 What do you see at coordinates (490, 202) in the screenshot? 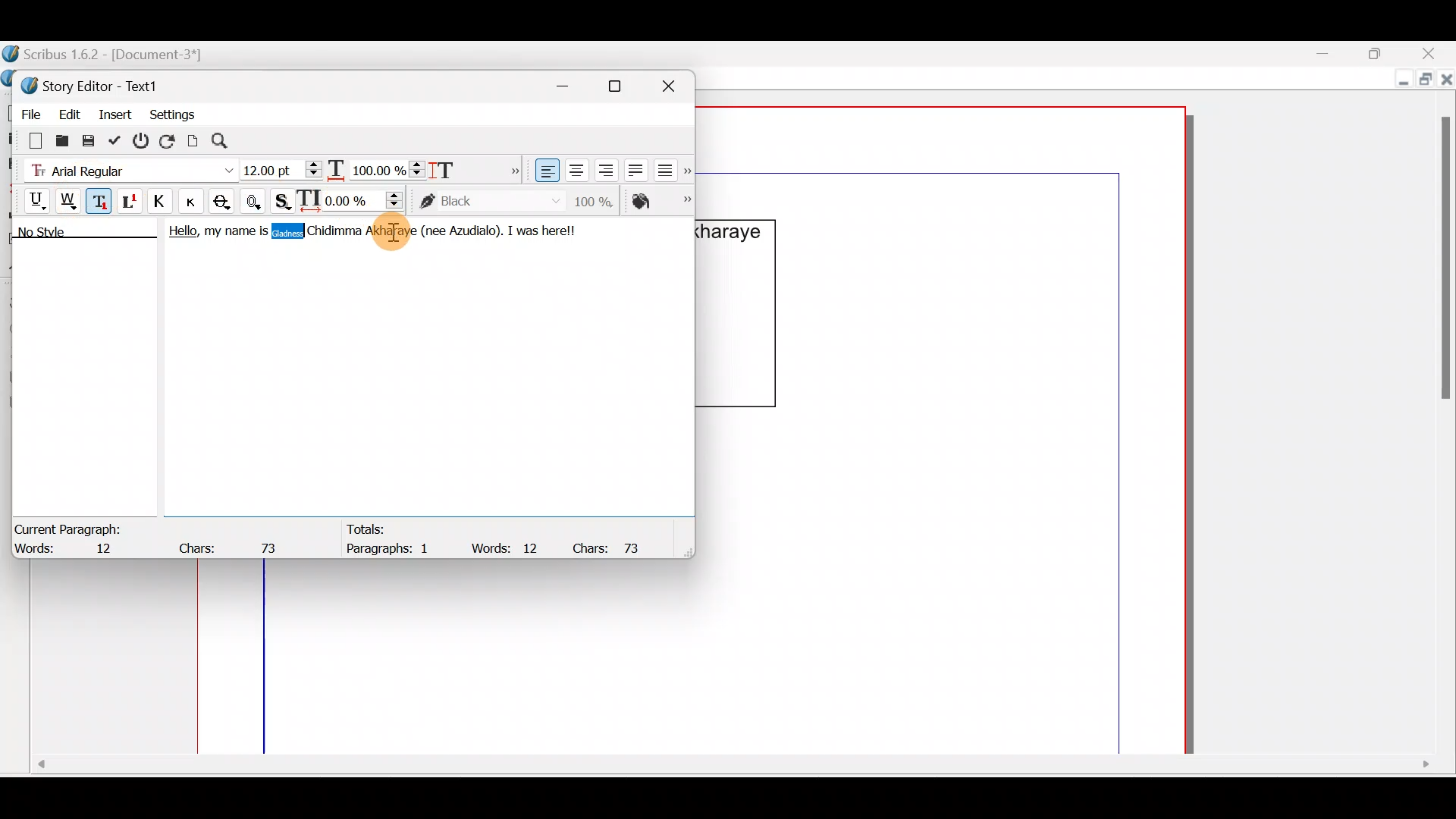
I see `color of text stroke` at bounding box center [490, 202].